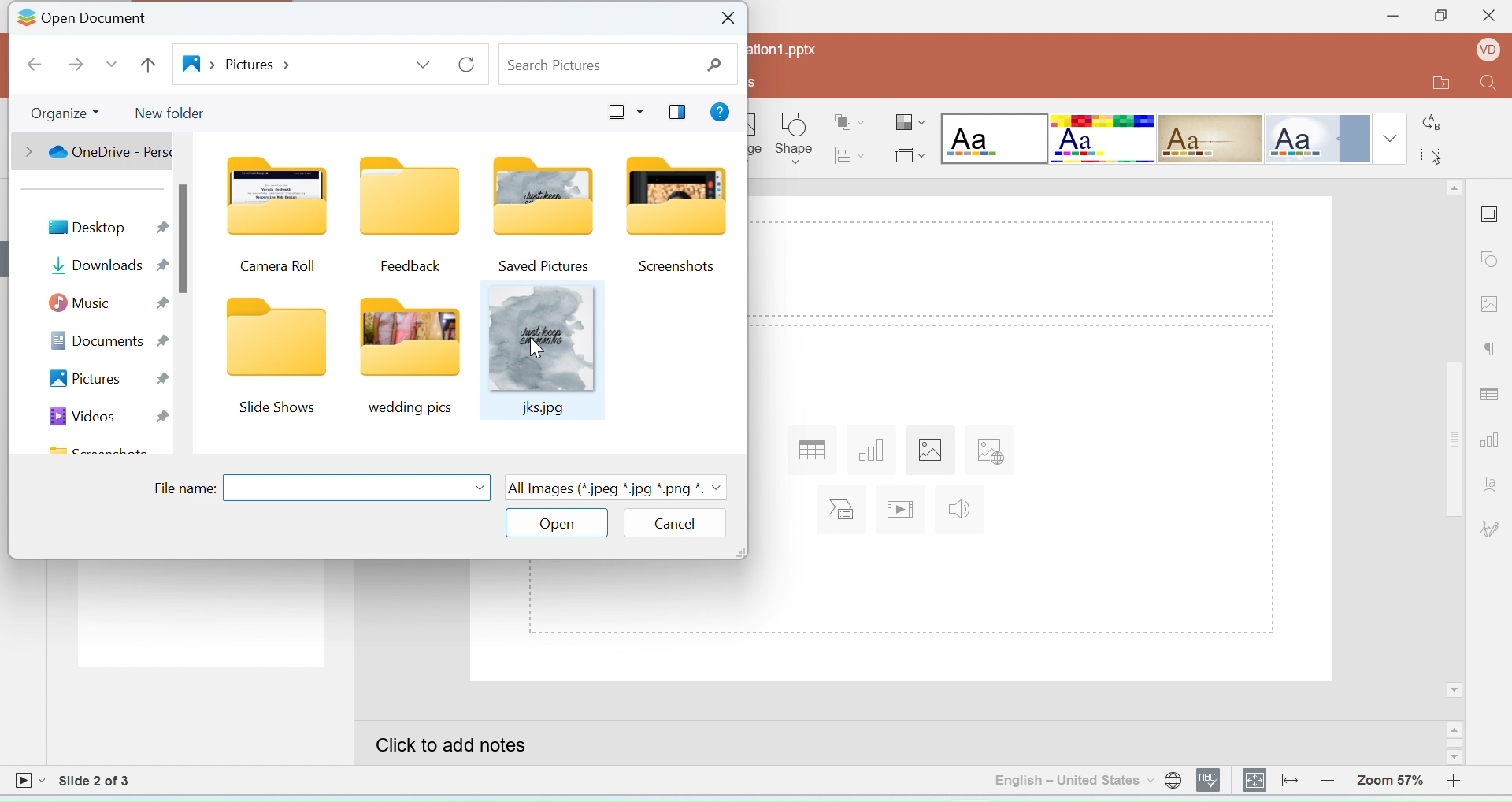  I want to click on organize, so click(63, 114).